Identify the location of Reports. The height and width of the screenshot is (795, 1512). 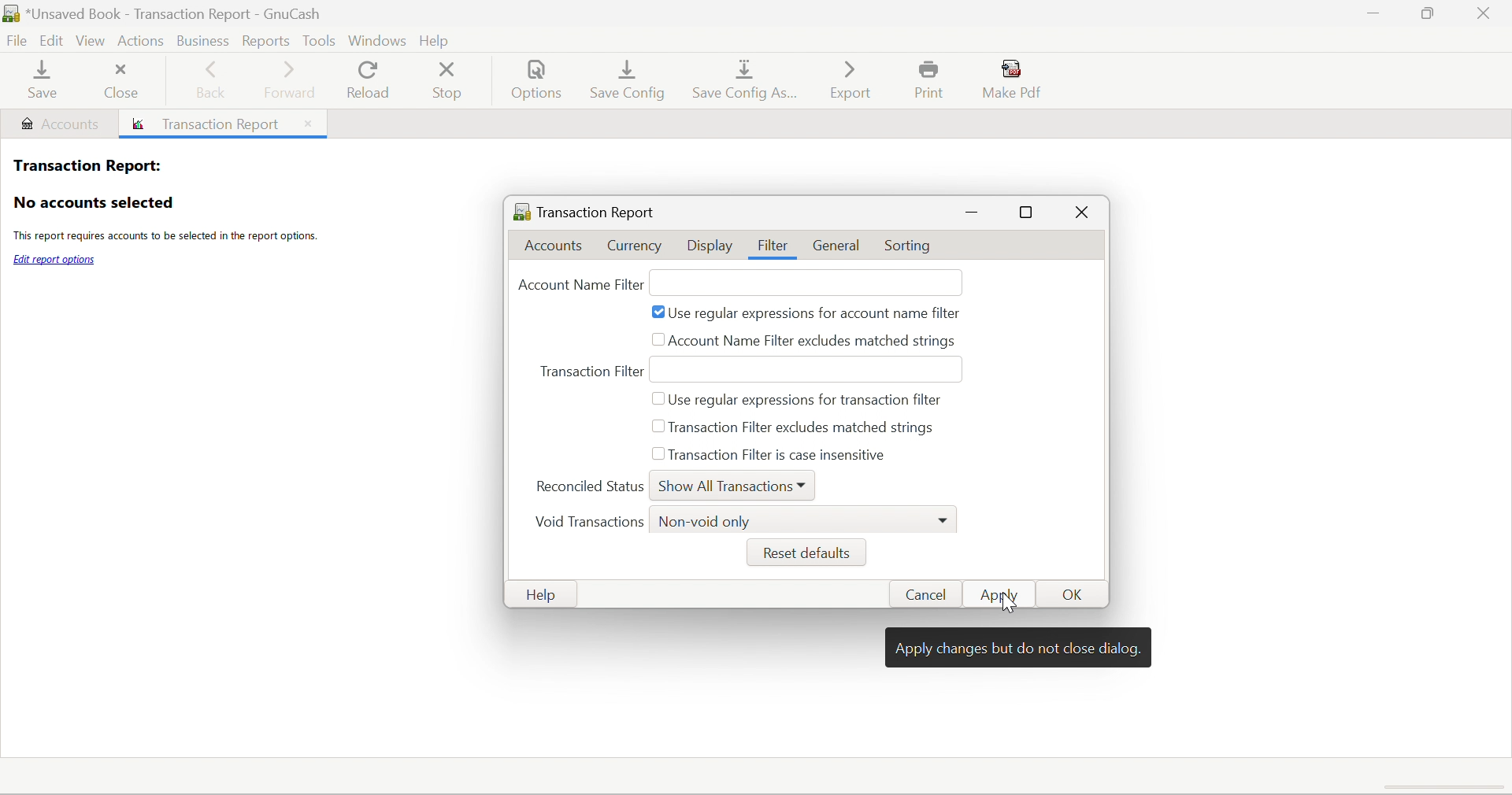
(268, 40).